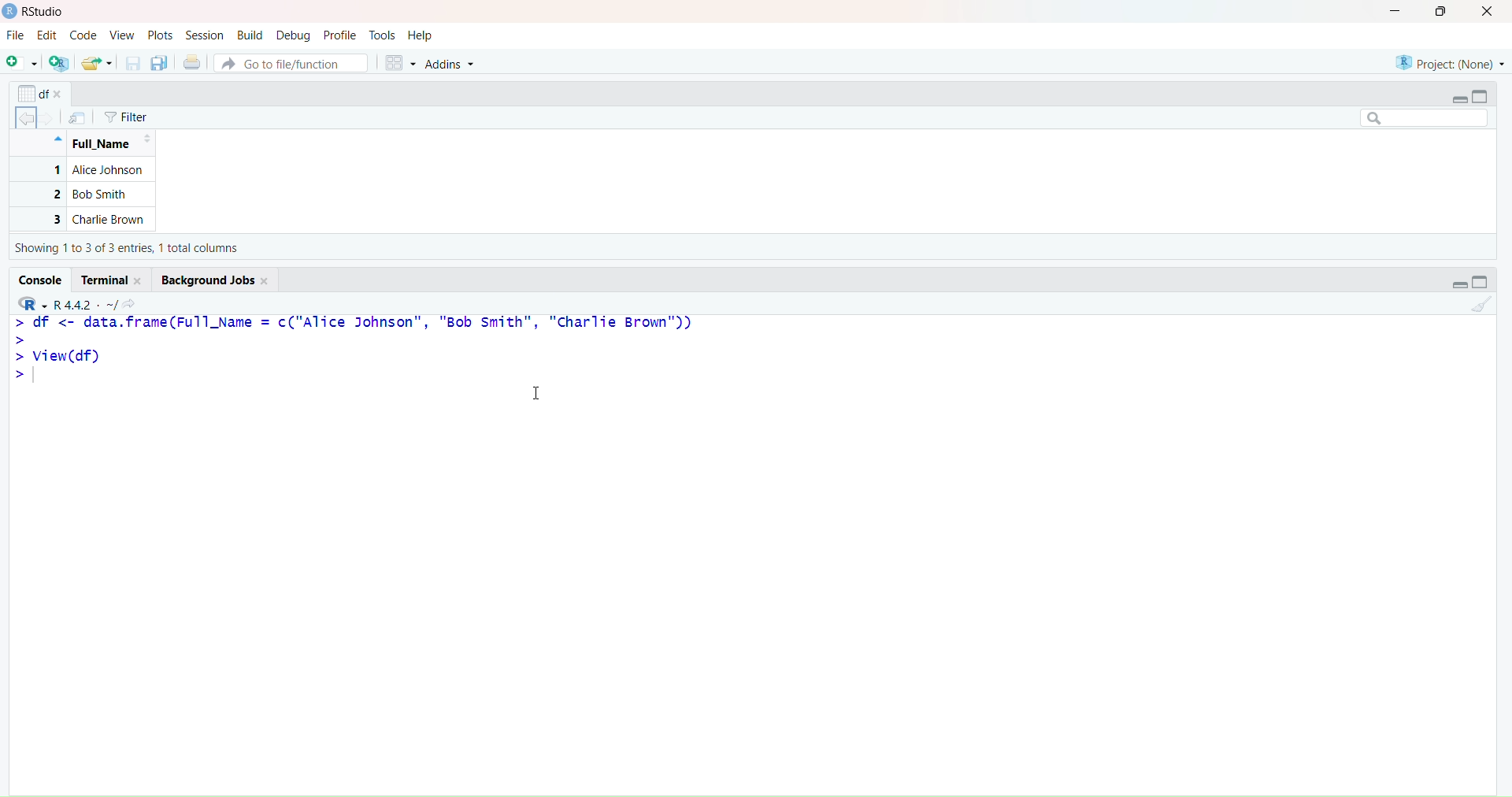  Describe the element at coordinates (421, 34) in the screenshot. I see `Help` at that location.